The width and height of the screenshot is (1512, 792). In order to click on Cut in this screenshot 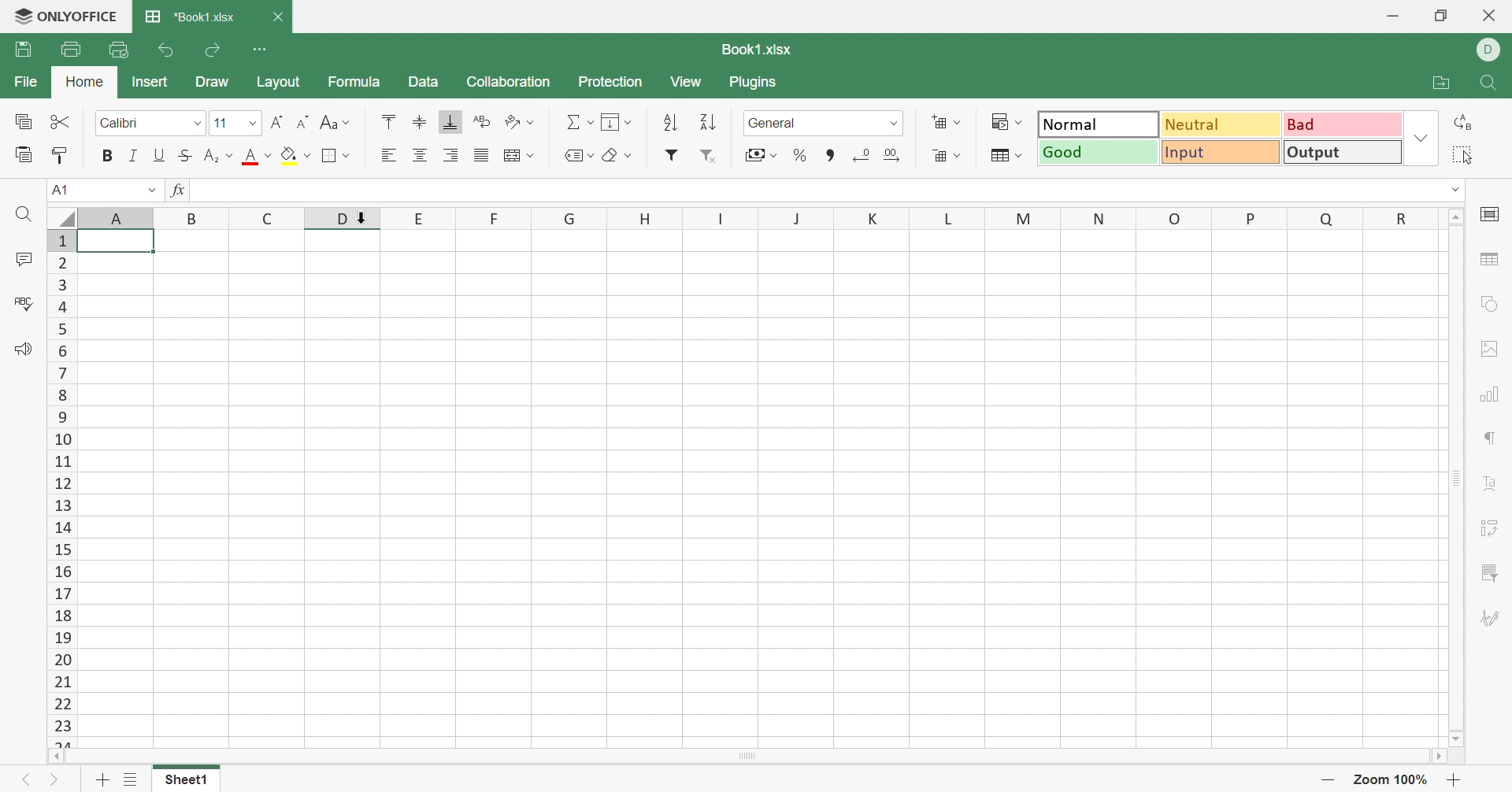, I will do `click(61, 124)`.